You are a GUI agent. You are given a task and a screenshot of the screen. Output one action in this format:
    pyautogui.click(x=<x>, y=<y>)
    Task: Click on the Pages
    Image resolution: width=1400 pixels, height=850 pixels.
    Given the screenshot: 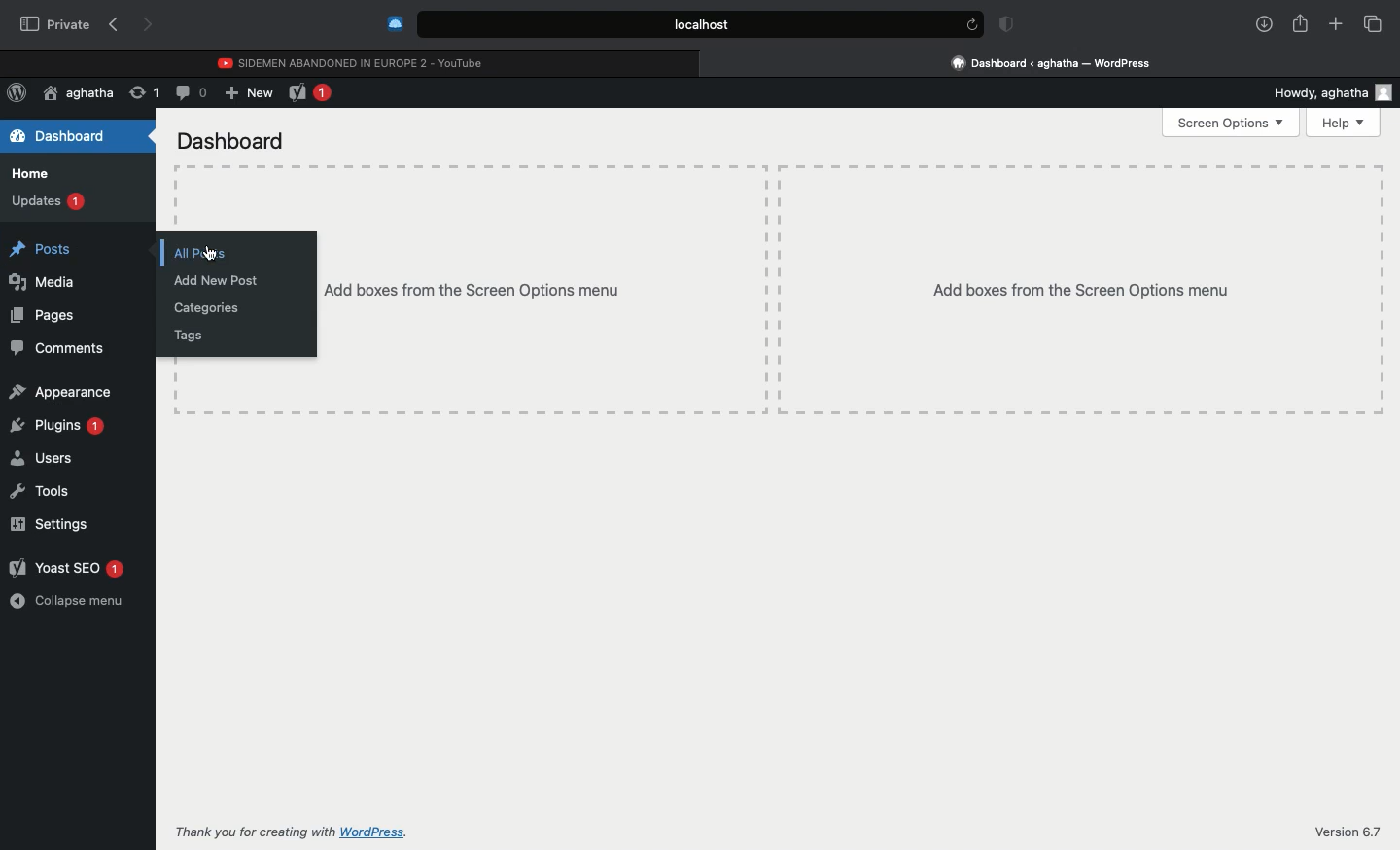 What is the action you would take?
    pyautogui.click(x=43, y=318)
    